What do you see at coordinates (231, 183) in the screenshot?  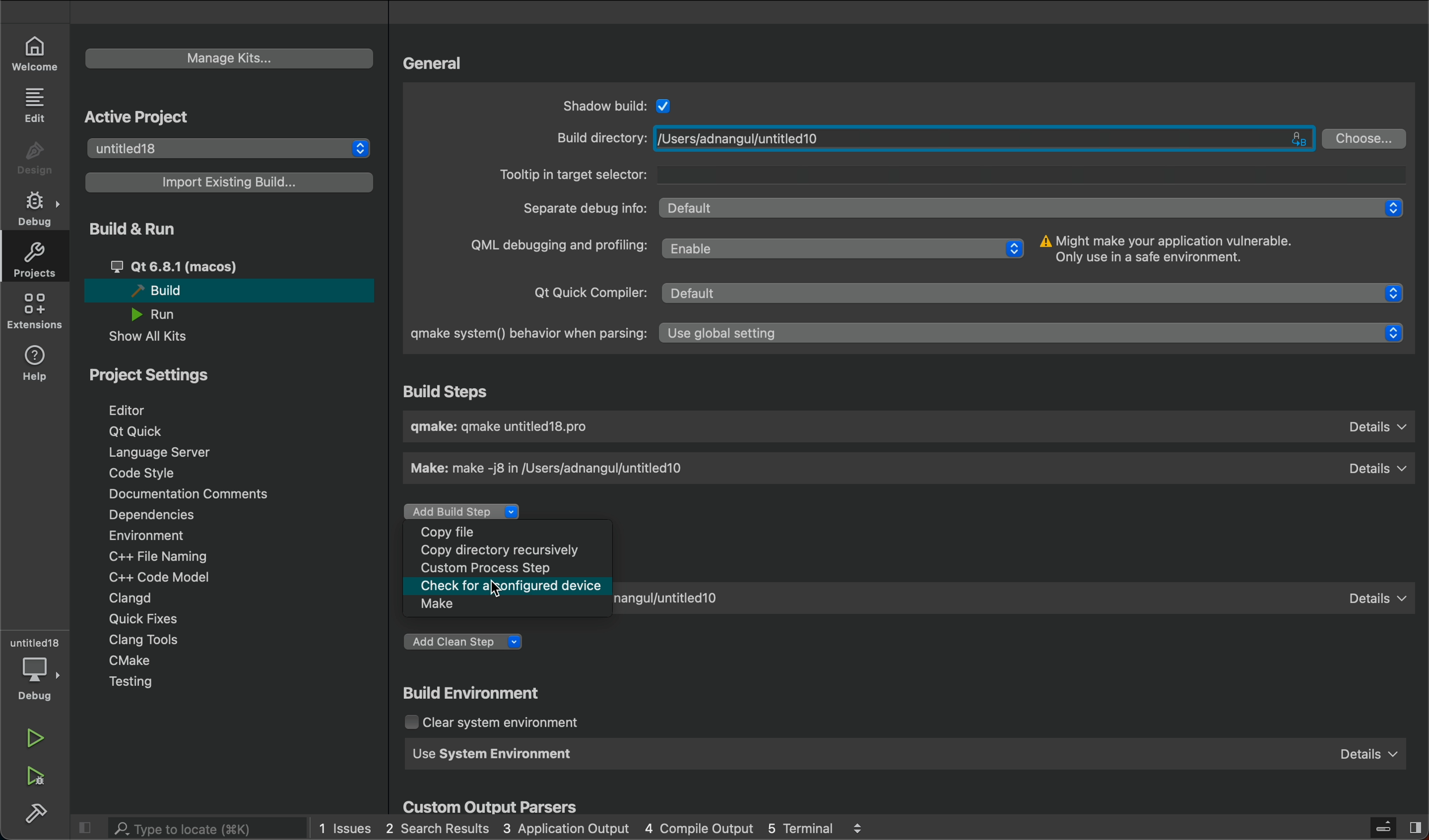 I see `import existing build` at bounding box center [231, 183].